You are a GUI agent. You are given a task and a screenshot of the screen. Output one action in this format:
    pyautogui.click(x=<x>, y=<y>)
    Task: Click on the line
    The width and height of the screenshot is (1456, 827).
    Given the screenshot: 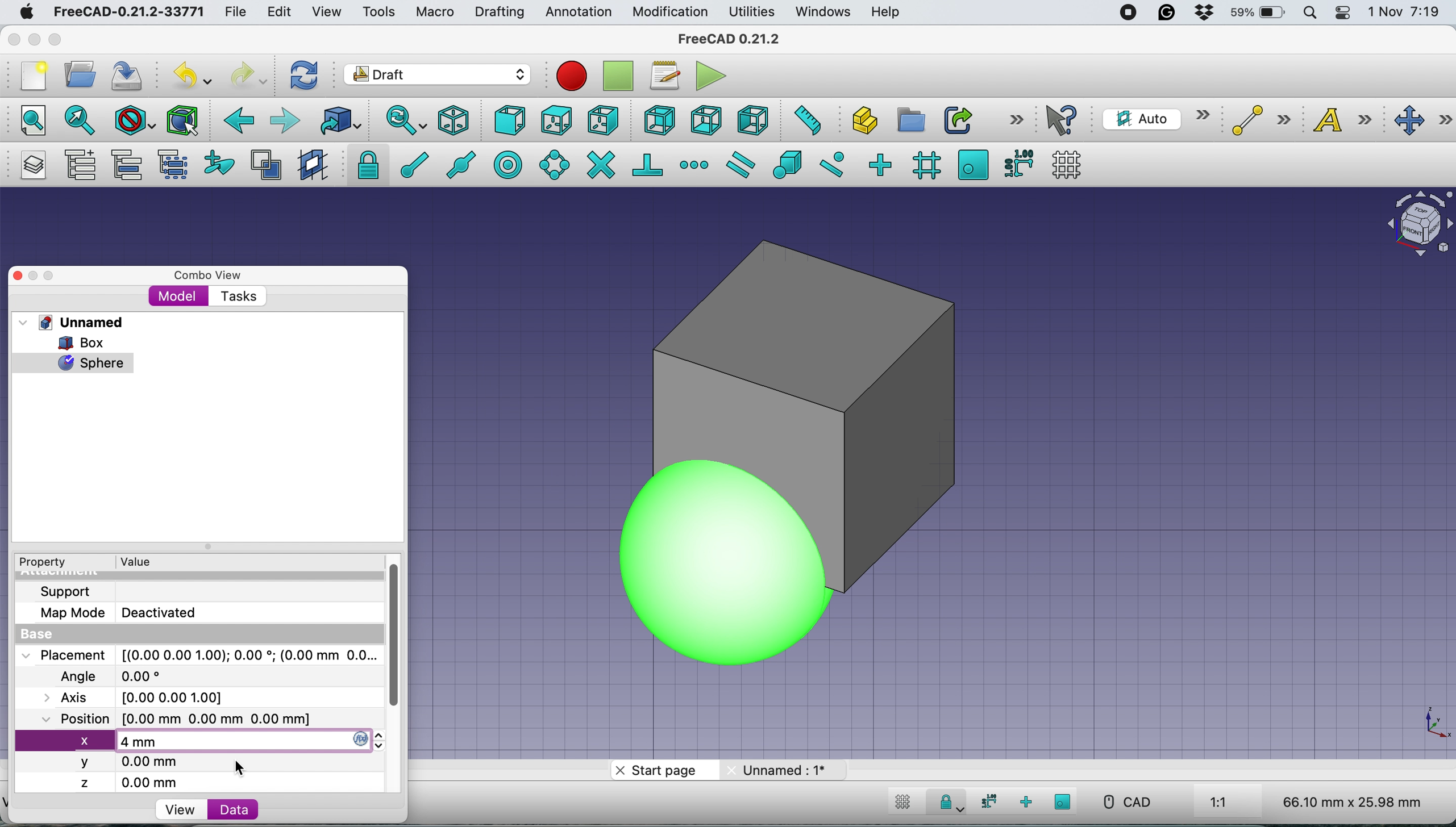 What is the action you would take?
    pyautogui.click(x=1258, y=120)
    